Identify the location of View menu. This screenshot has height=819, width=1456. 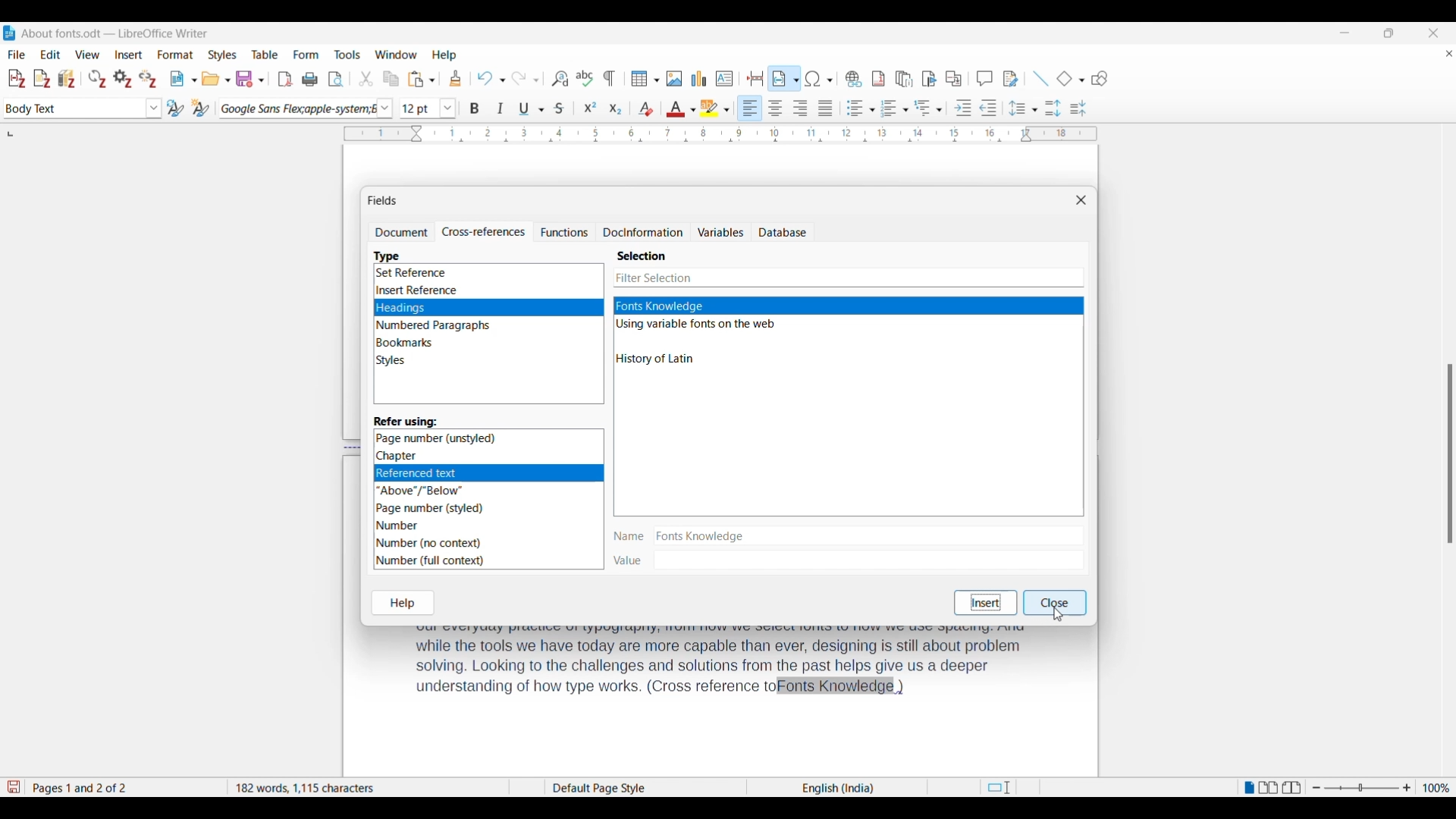
(87, 55).